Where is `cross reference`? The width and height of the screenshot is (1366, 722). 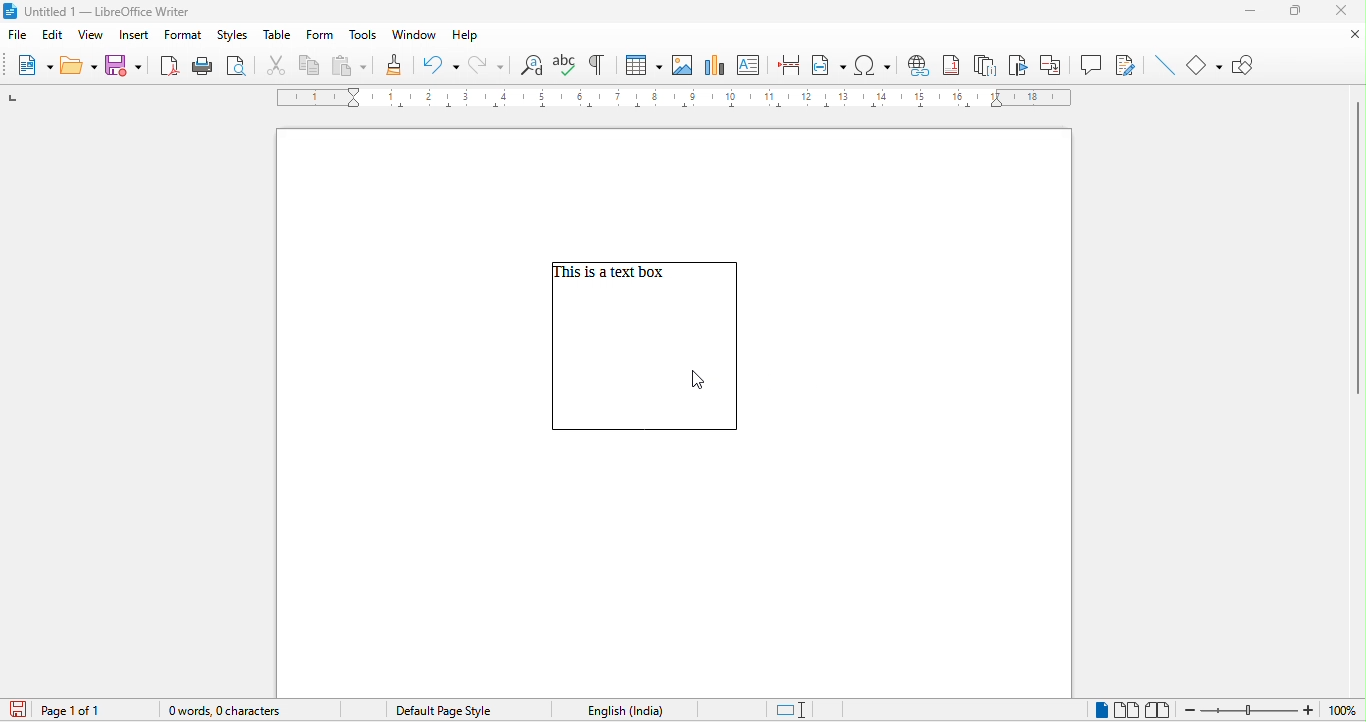 cross reference is located at coordinates (1056, 64).